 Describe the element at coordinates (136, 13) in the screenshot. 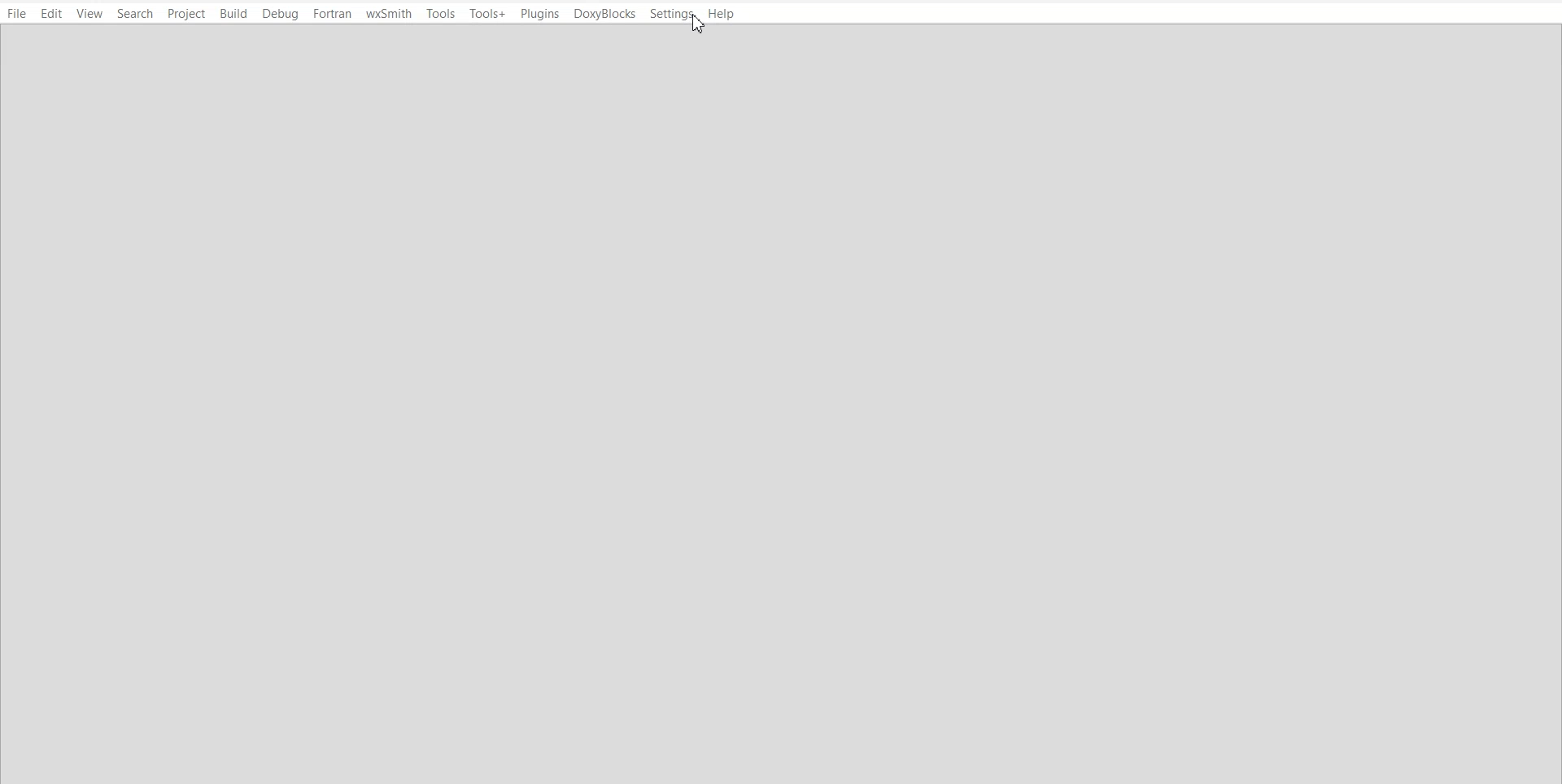

I see `Search` at that location.